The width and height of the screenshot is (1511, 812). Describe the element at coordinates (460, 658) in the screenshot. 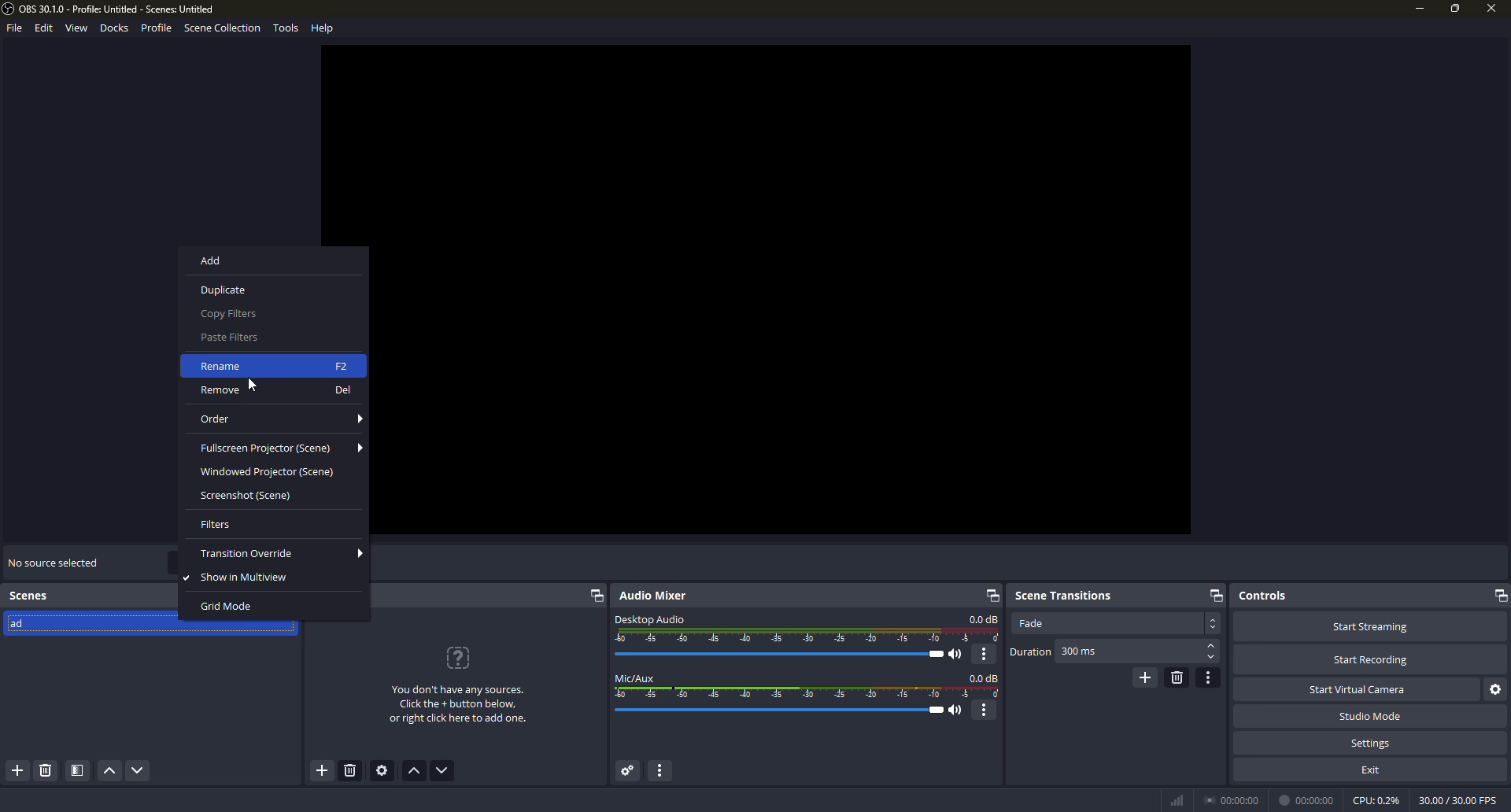

I see `?` at that location.